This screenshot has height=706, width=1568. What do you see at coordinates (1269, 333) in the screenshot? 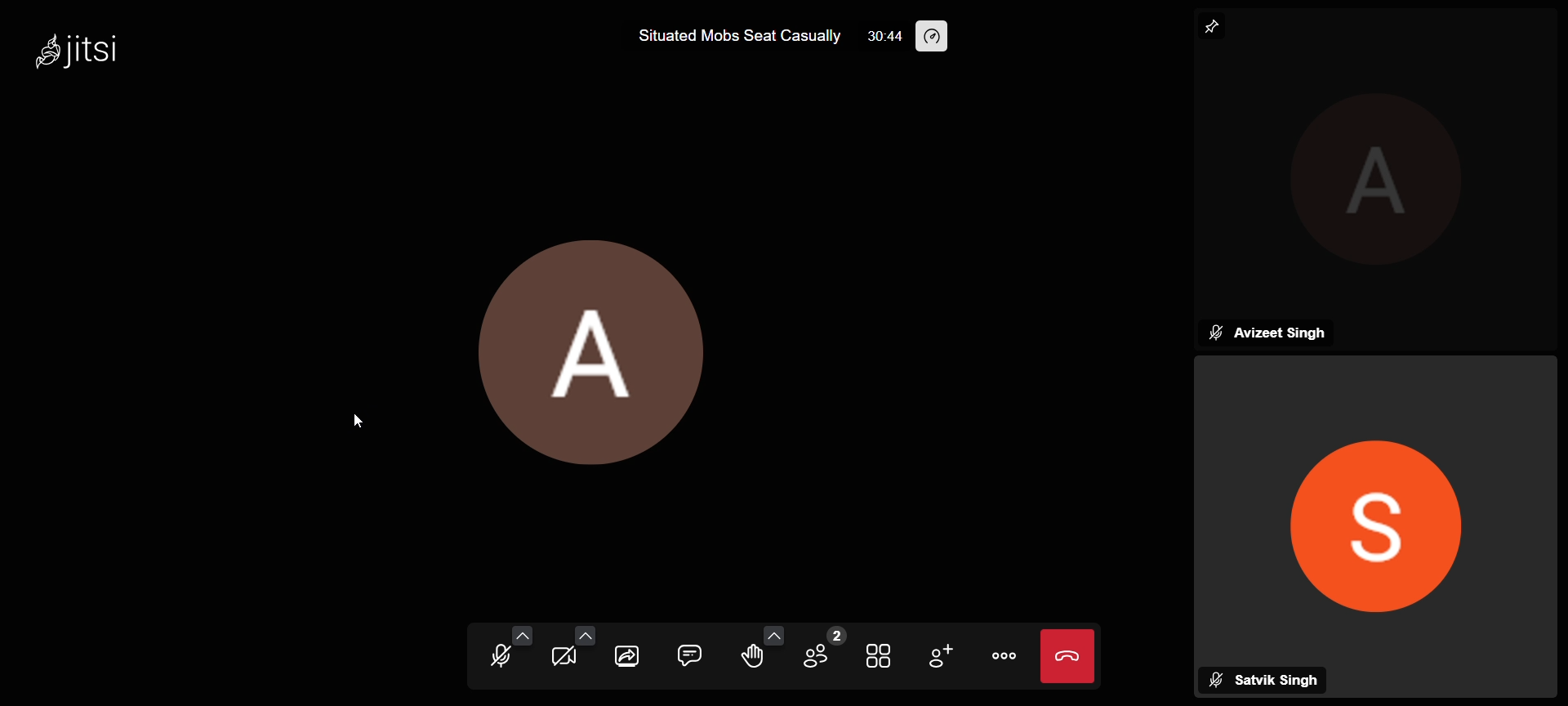
I see `avizeet singh` at bounding box center [1269, 333].